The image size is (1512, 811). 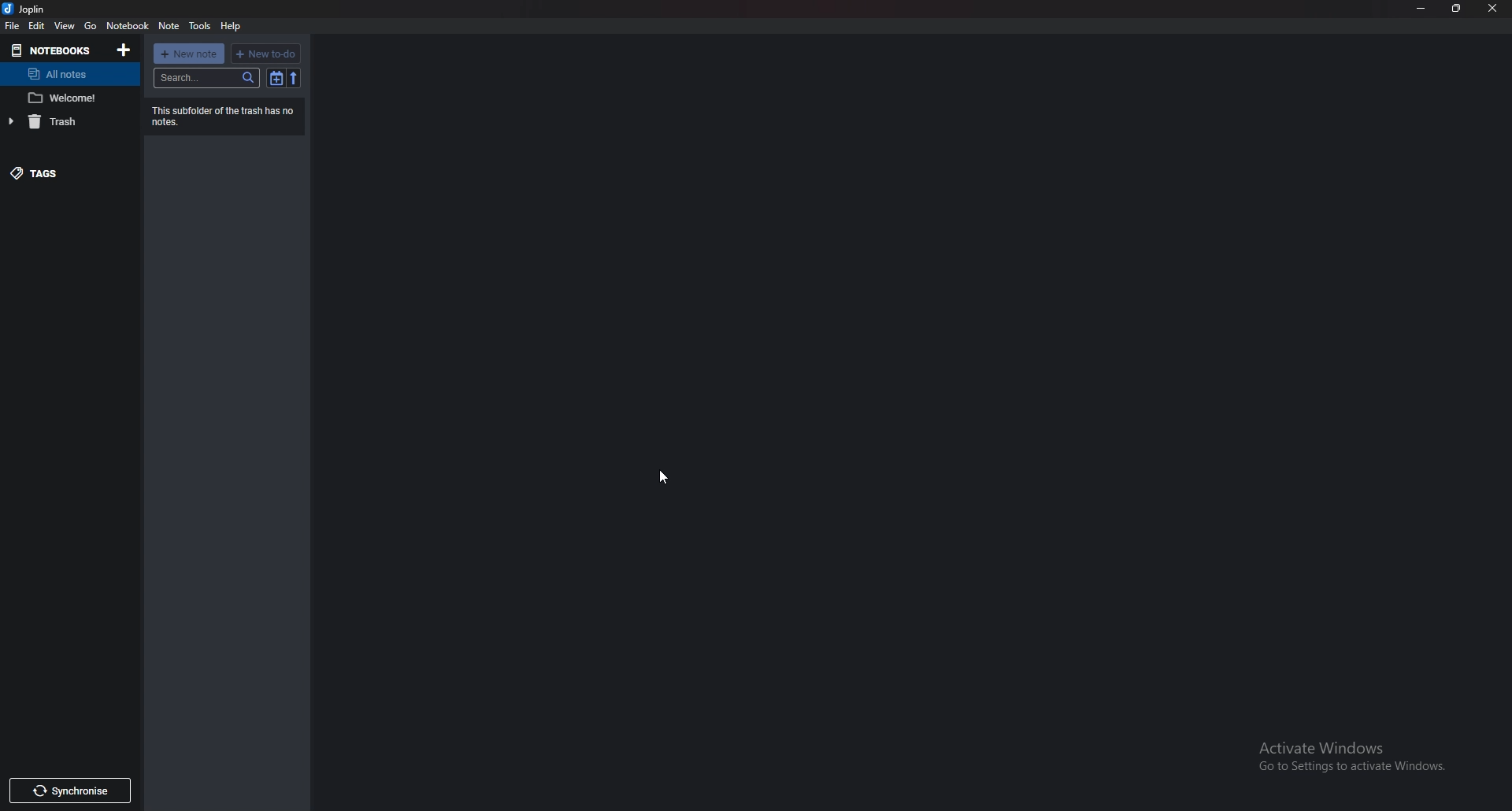 What do you see at coordinates (267, 54) in the screenshot?
I see `New to do` at bounding box center [267, 54].